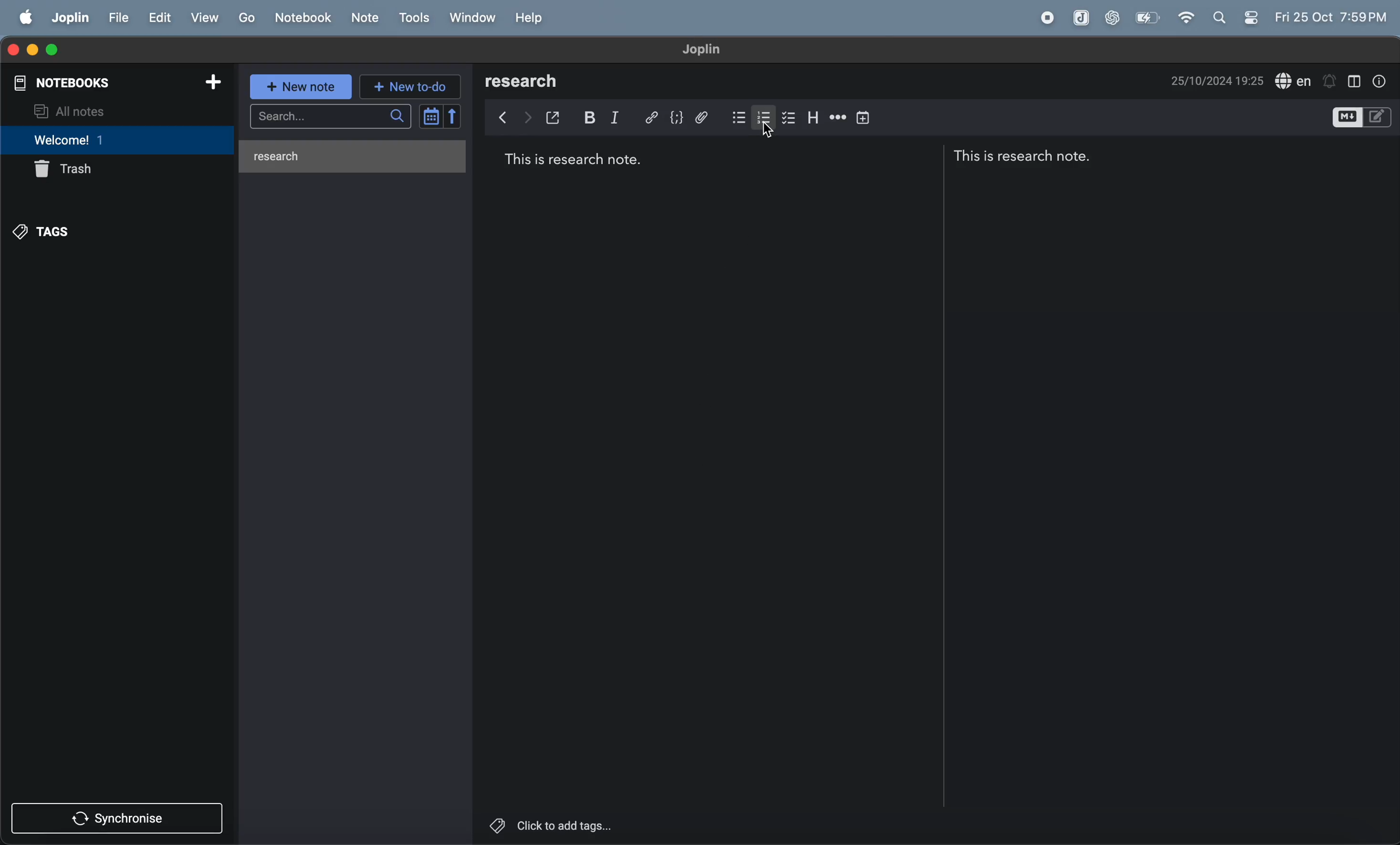 Image resolution: width=1400 pixels, height=845 pixels. Describe the element at coordinates (23, 15) in the screenshot. I see `apple menu` at that location.